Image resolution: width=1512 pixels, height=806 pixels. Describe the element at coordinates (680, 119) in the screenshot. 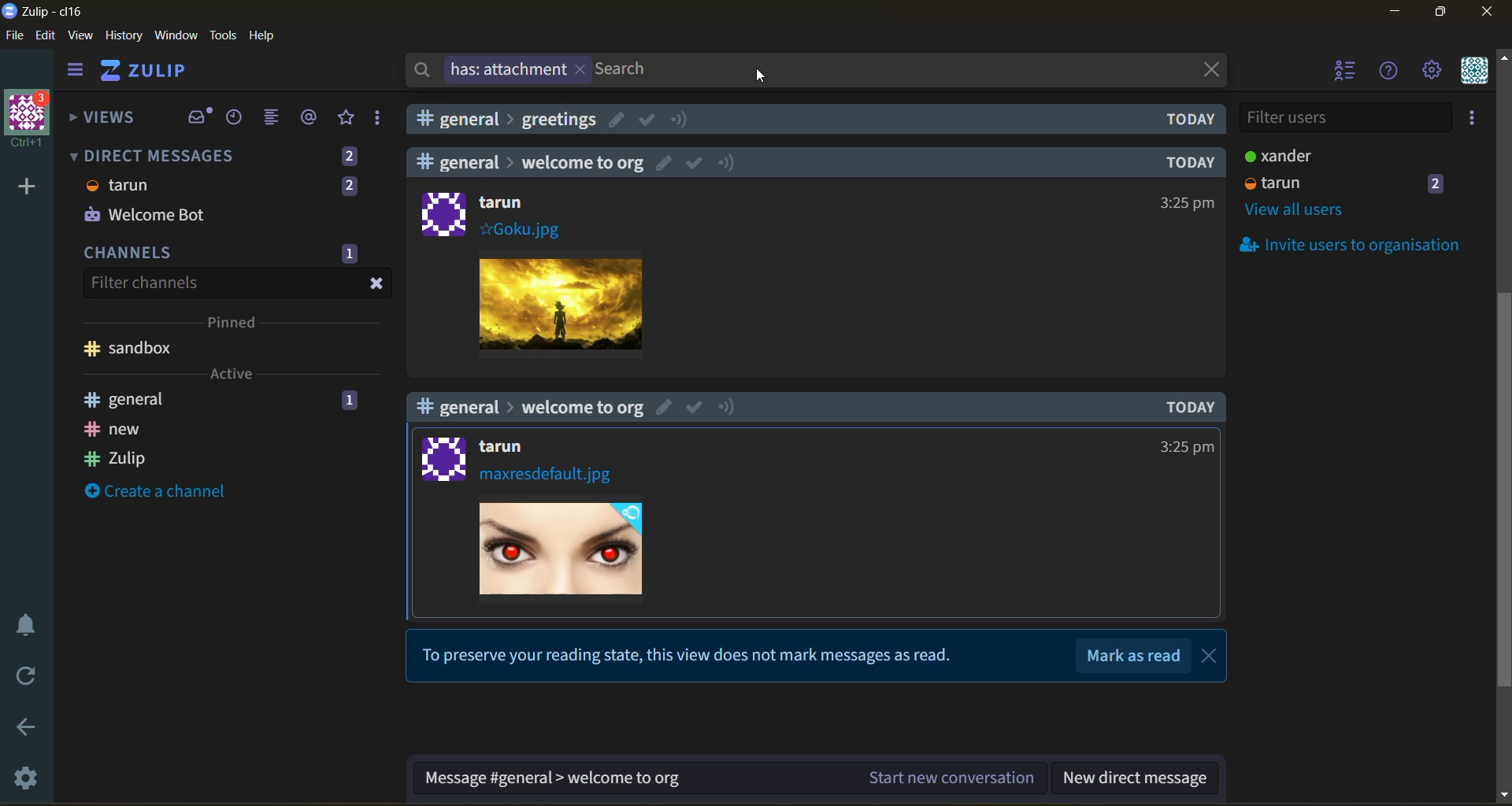

I see `notify` at that location.